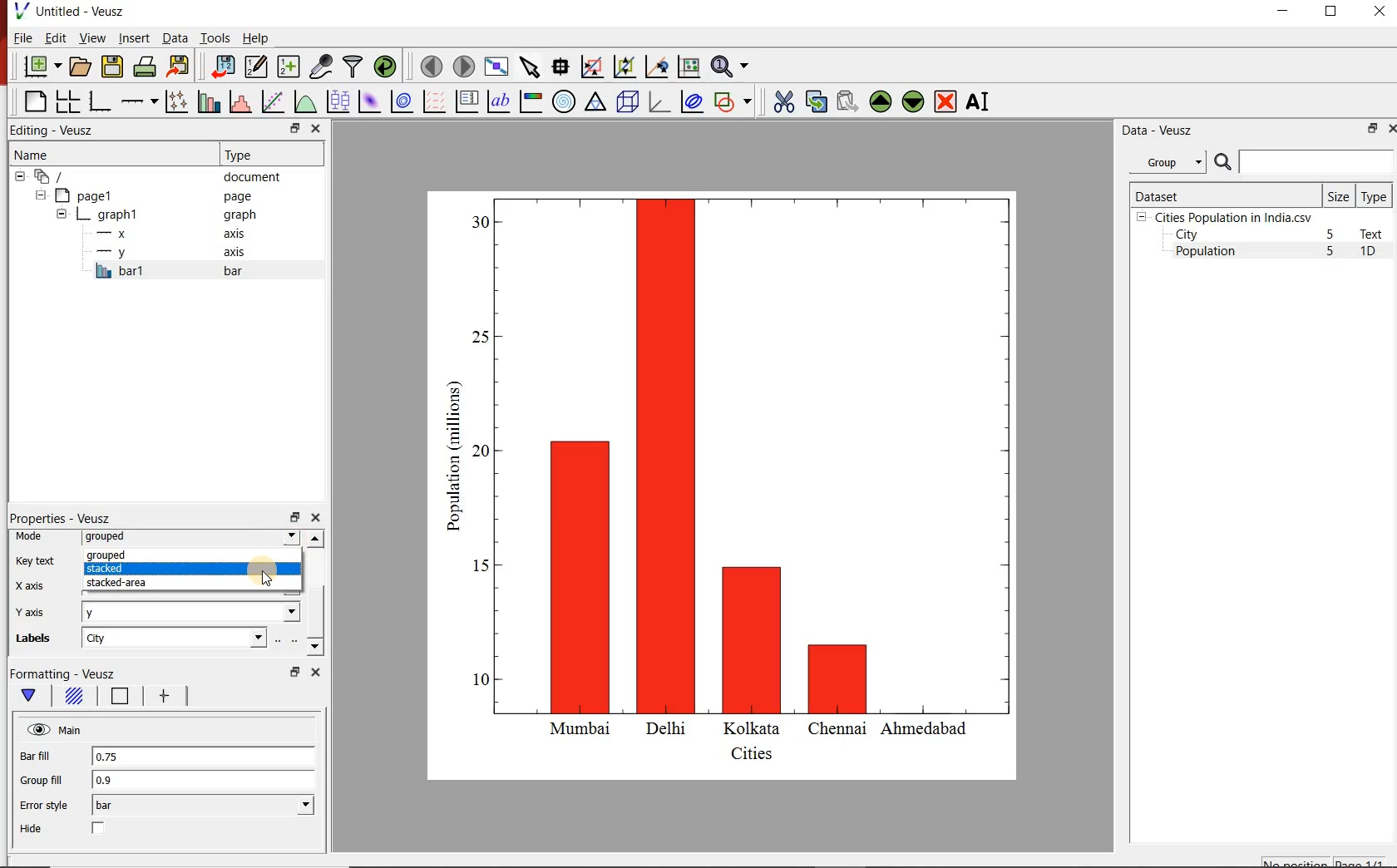  I want to click on cut the selected widget, so click(781, 101).